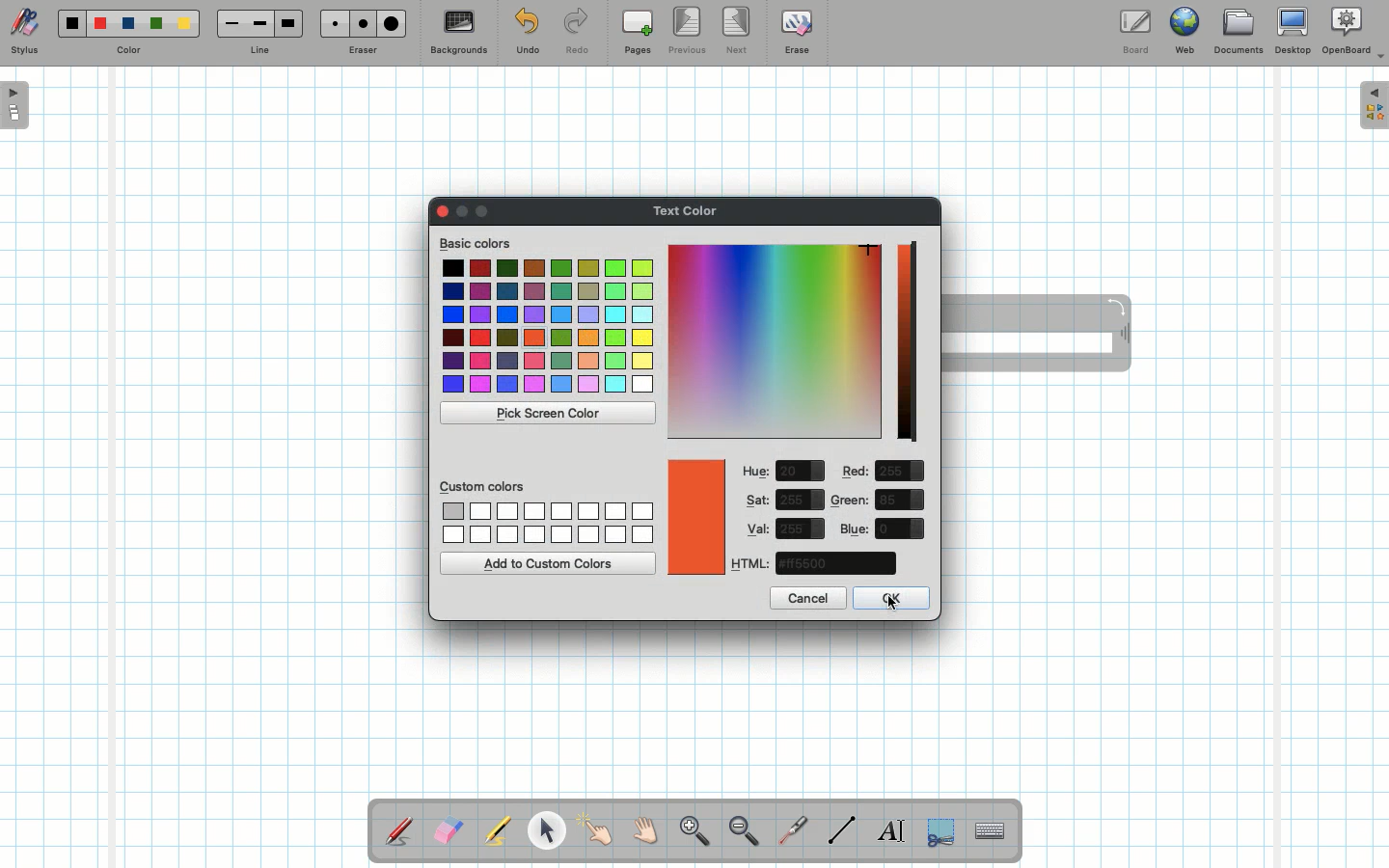  Describe the element at coordinates (156, 25) in the screenshot. I see `Green` at that location.